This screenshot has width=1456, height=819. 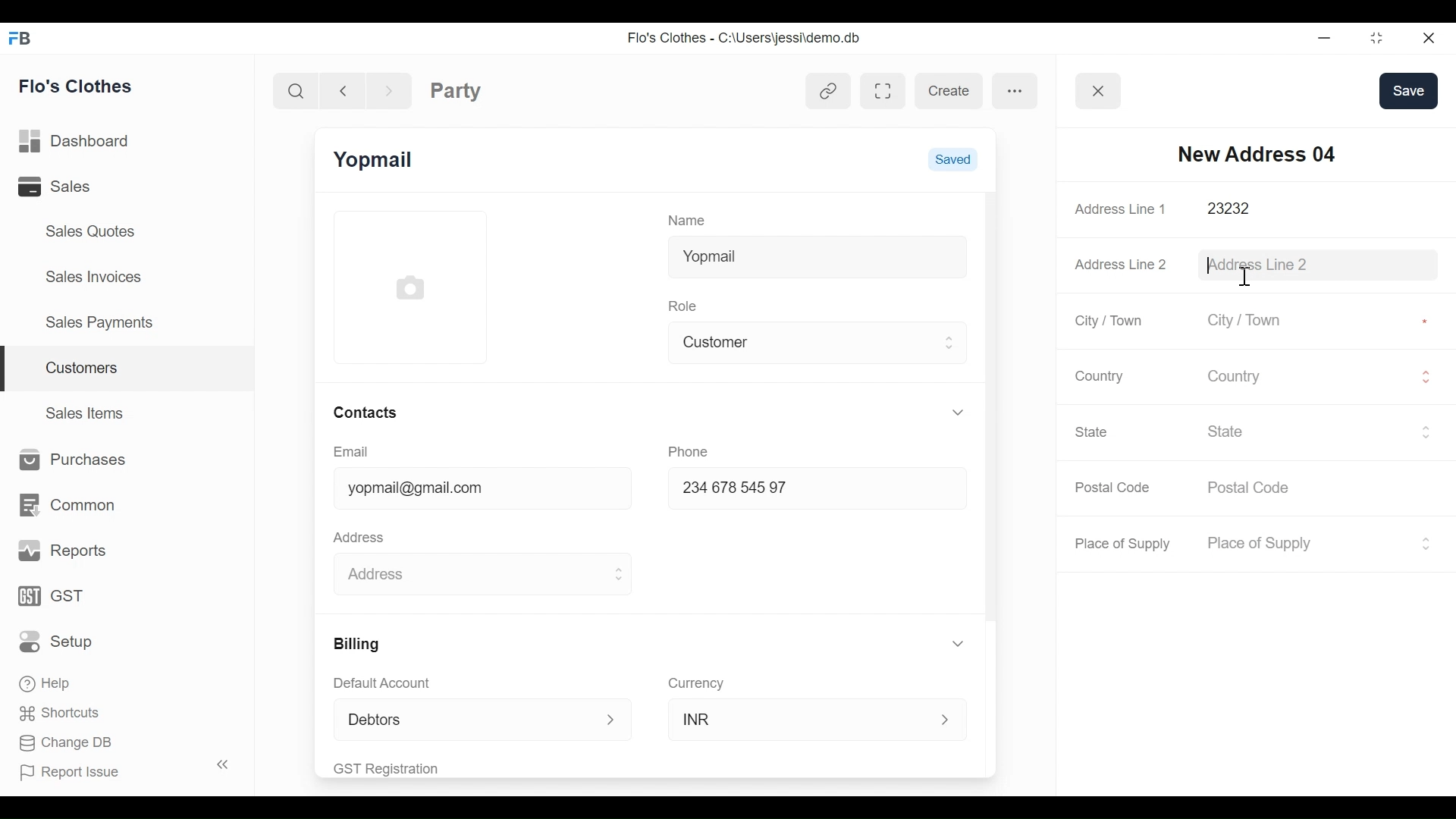 What do you see at coordinates (1422, 209) in the screenshot?
I see `Asterisk` at bounding box center [1422, 209].